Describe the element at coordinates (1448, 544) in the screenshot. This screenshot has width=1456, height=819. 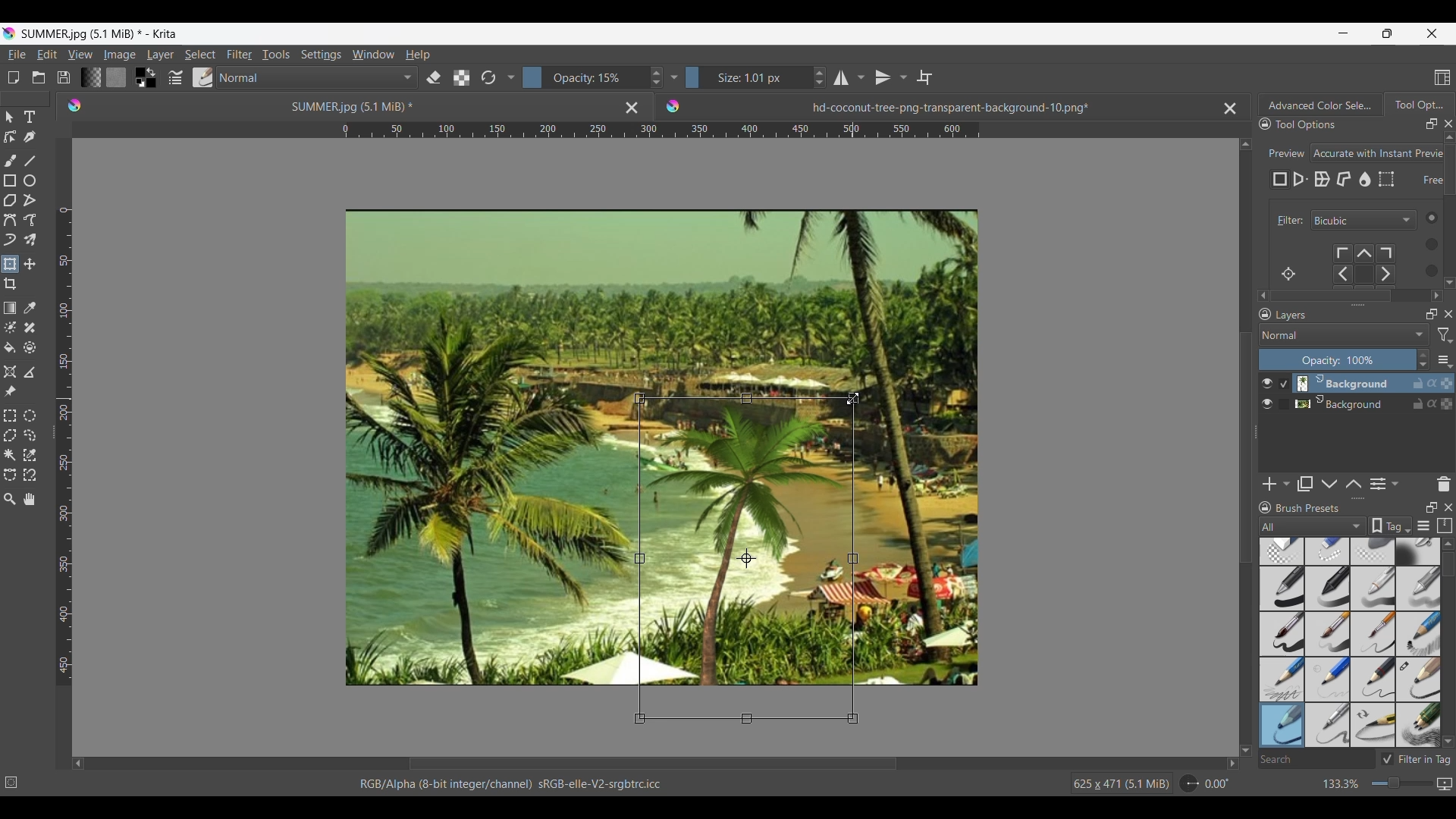
I see `Quick slide to top` at that location.